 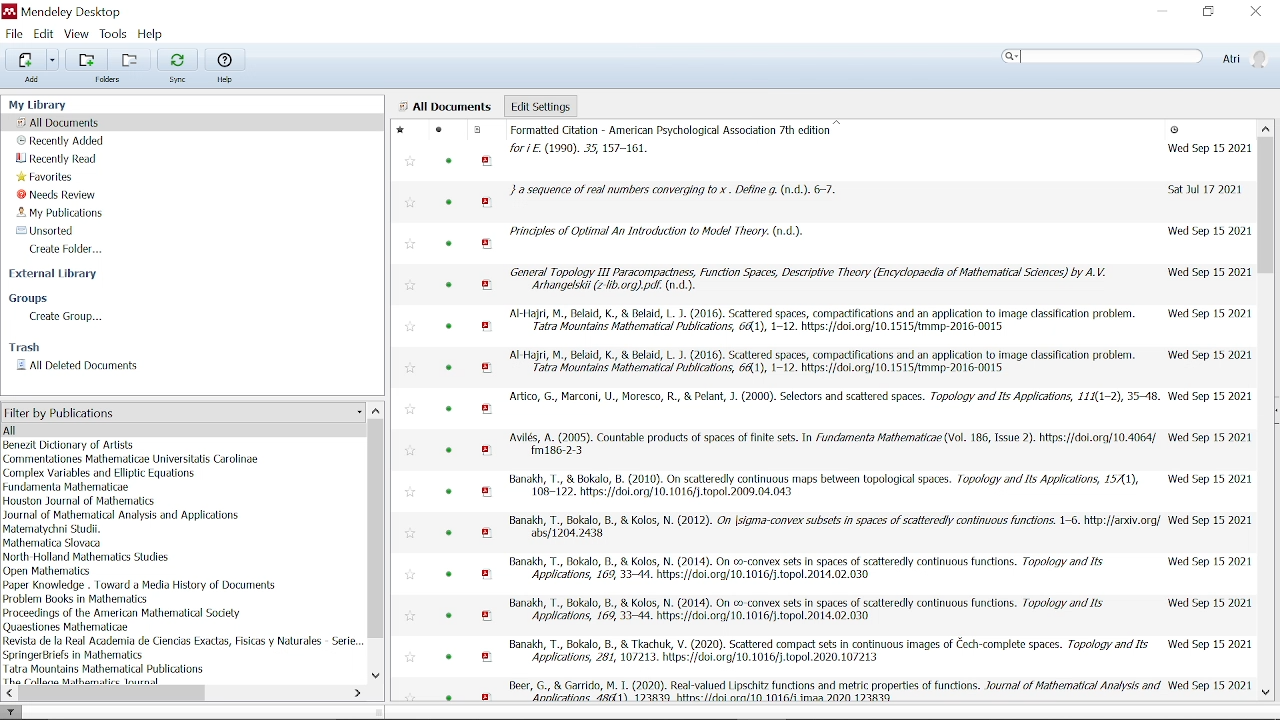 What do you see at coordinates (1211, 603) in the screenshot?
I see `date time` at bounding box center [1211, 603].